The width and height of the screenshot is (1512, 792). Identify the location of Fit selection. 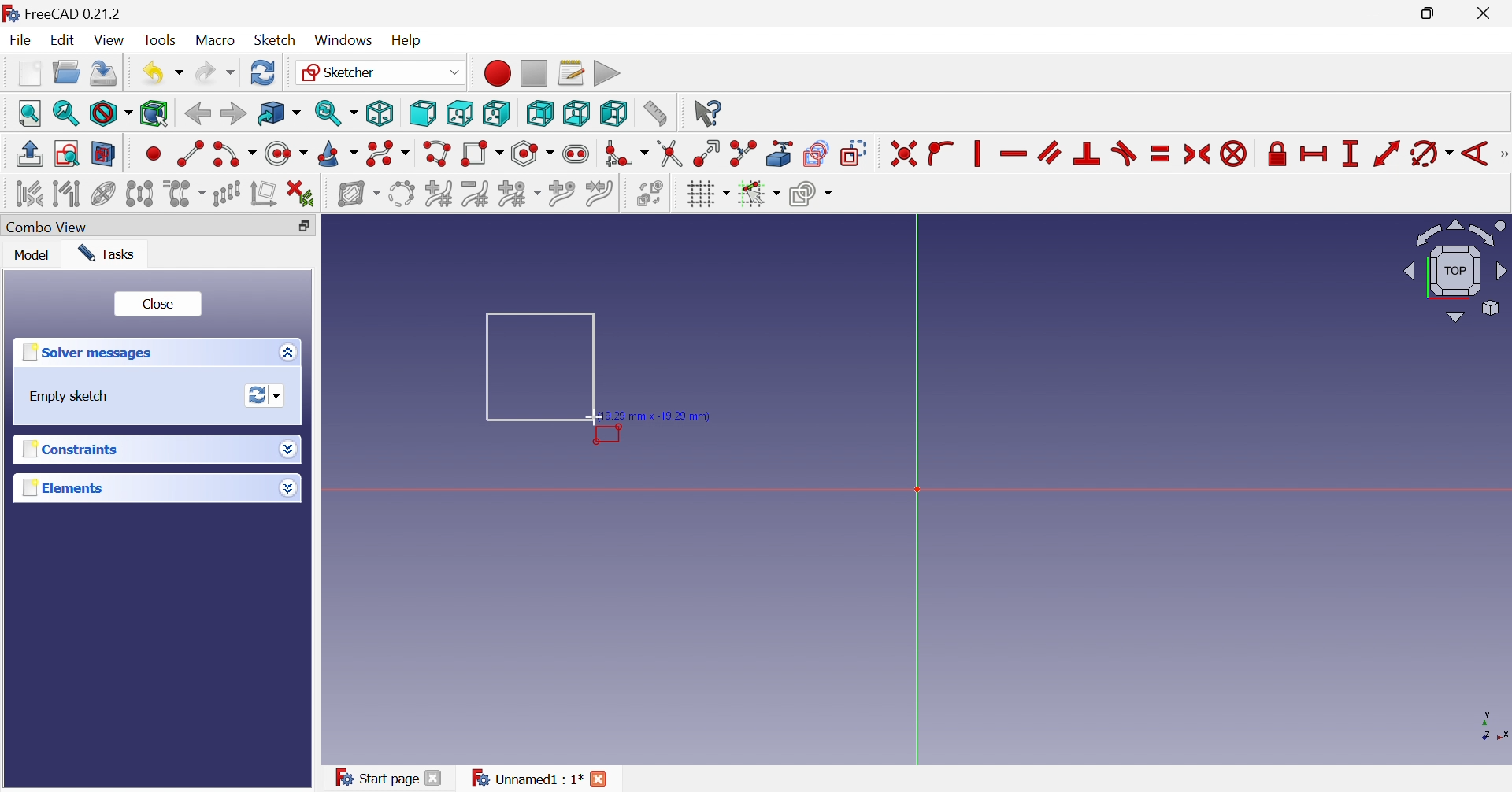
(64, 113).